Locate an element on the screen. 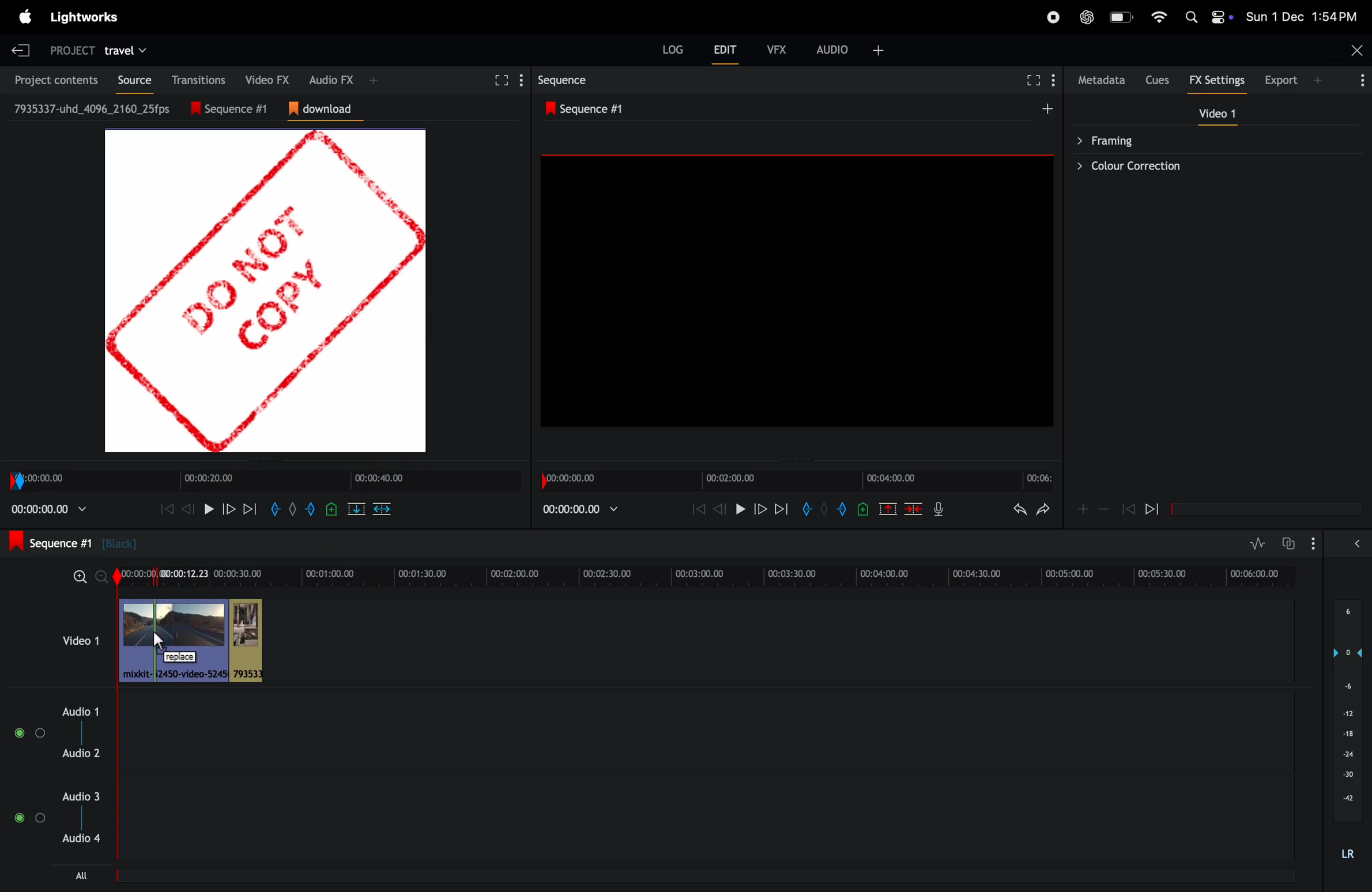 The image size is (1372, 892). add cue to current position is located at coordinates (863, 509).